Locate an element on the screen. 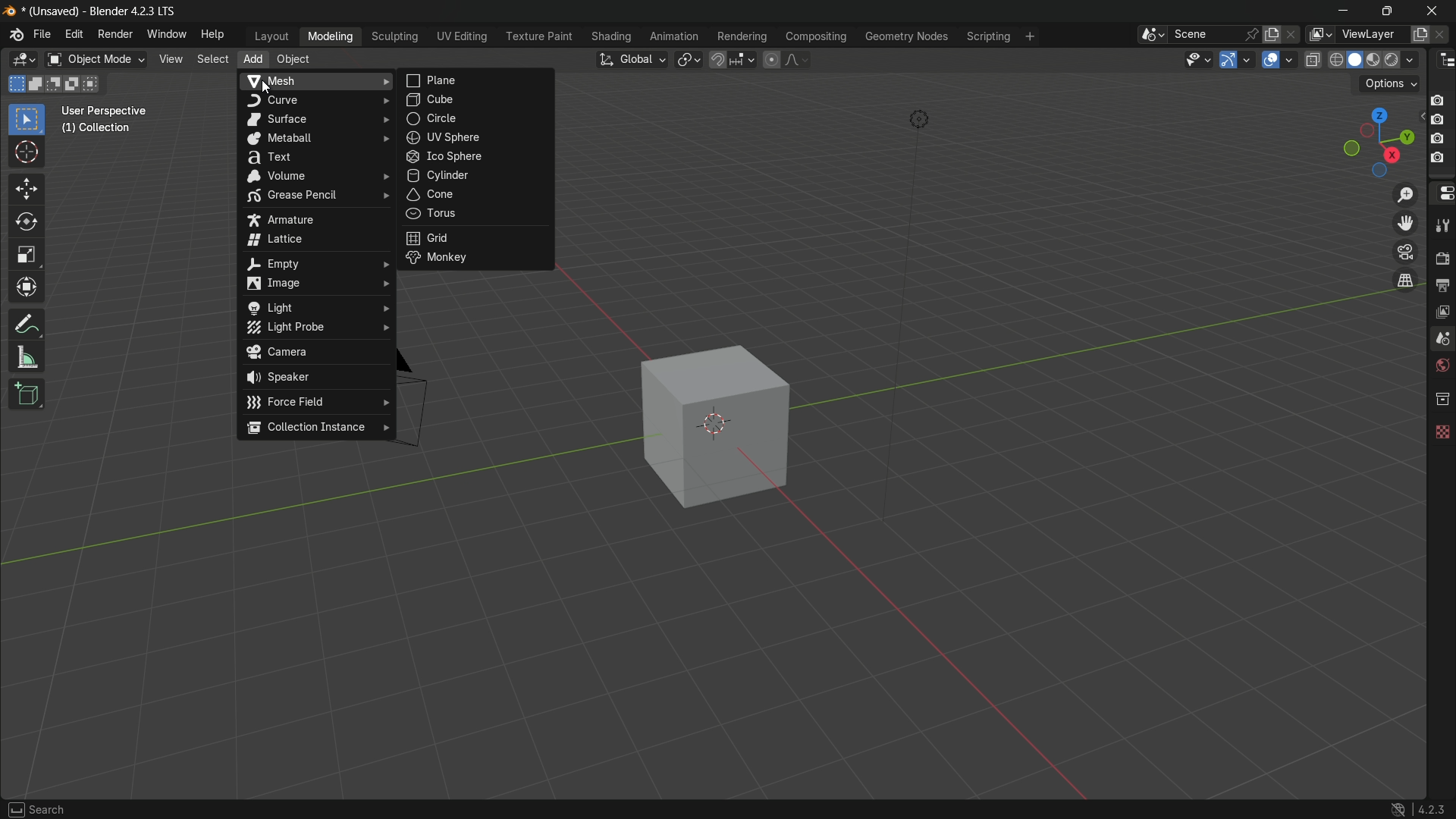  scale is located at coordinates (28, 256).